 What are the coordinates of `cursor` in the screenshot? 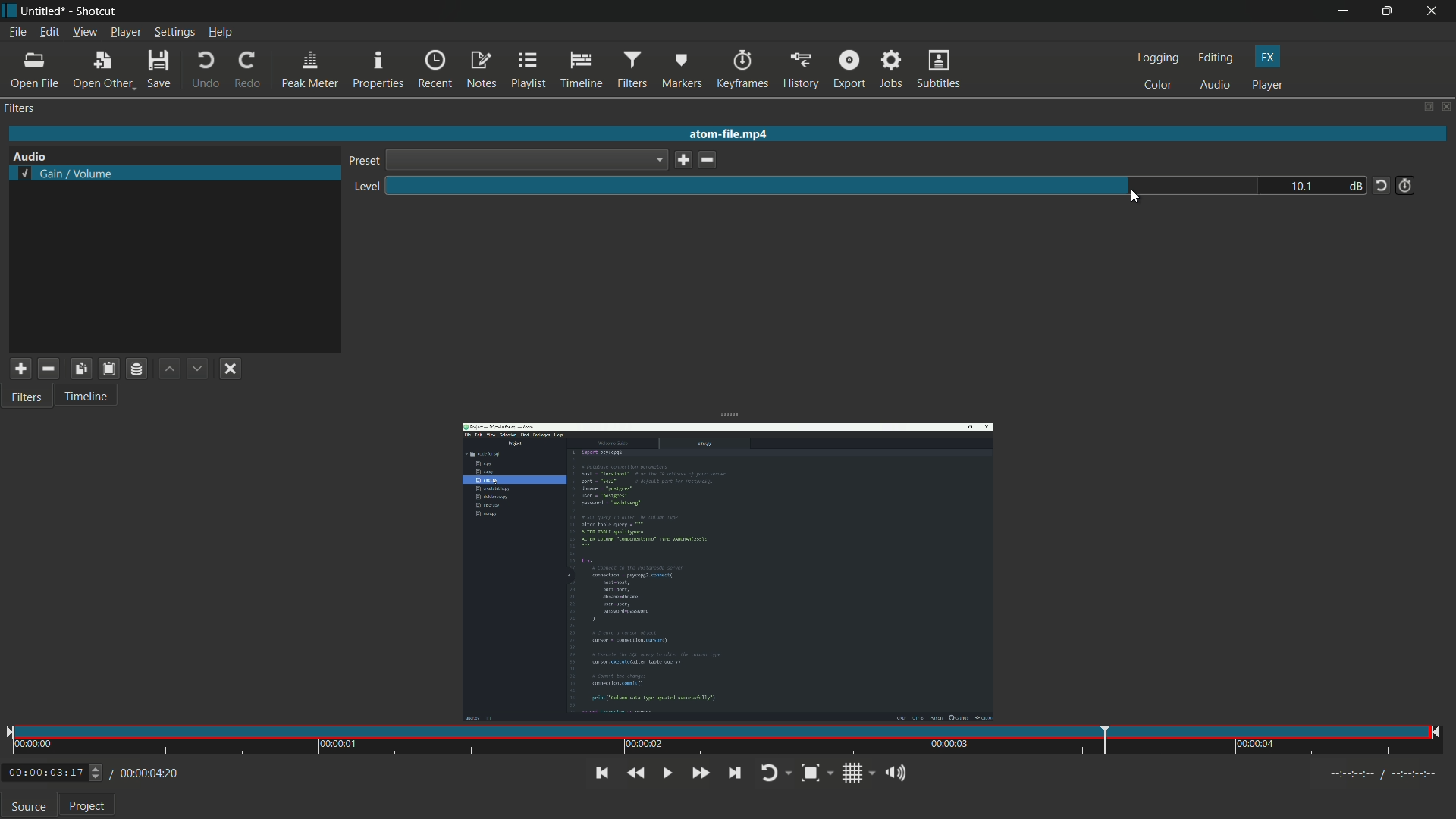 It's located at (1137, 198).